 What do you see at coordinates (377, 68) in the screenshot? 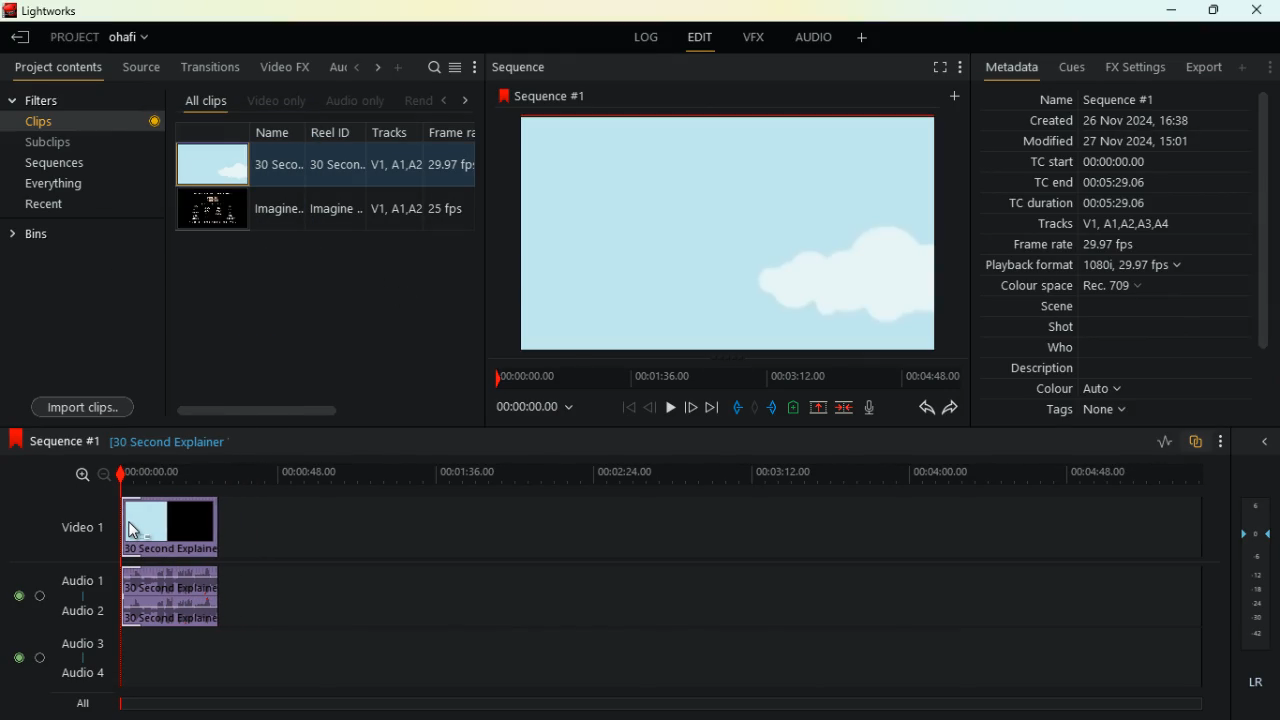
I see `right` at bounding box center [377, 68].